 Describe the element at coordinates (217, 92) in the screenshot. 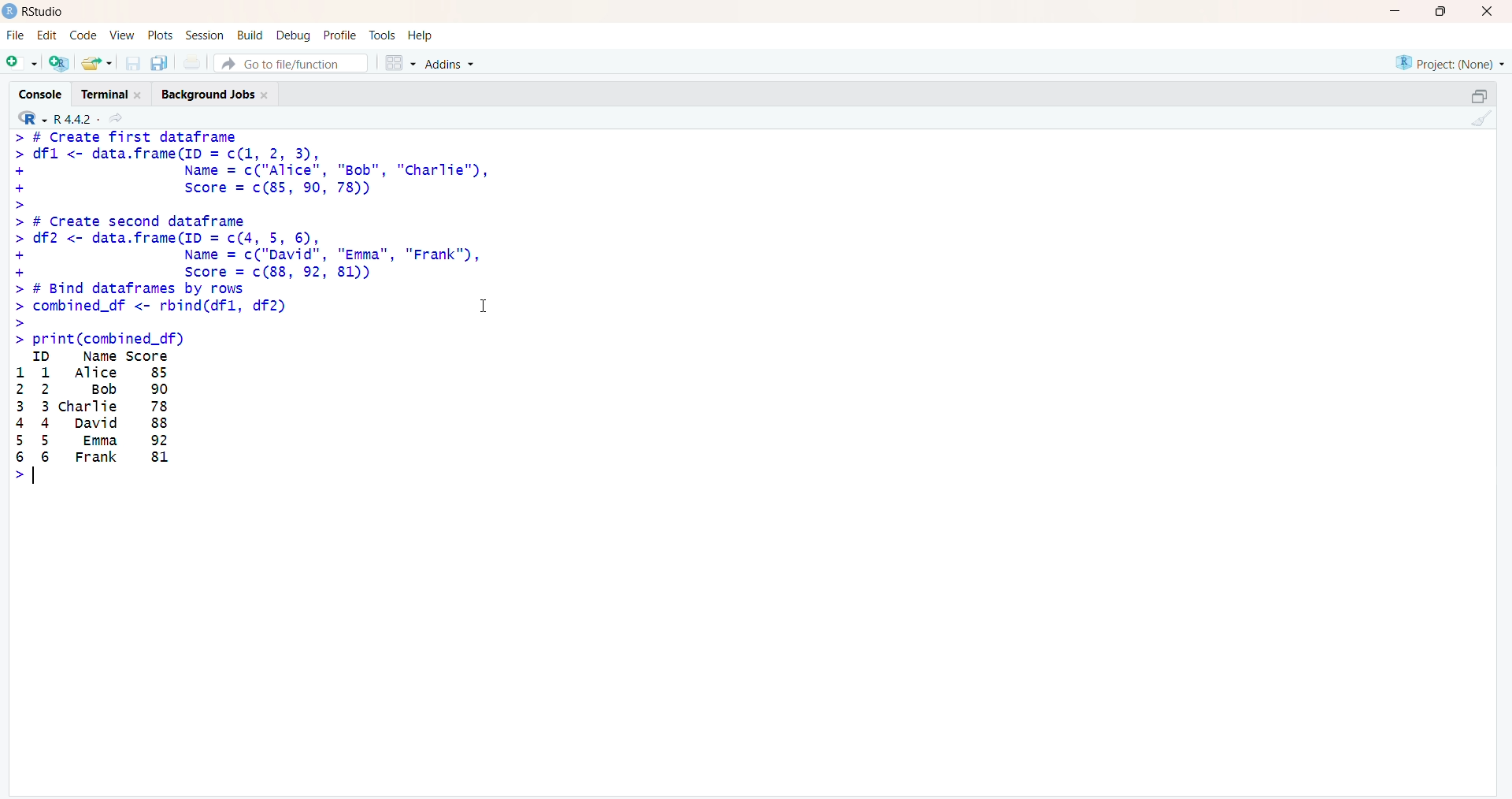

I see `Background Jobs` at that location.